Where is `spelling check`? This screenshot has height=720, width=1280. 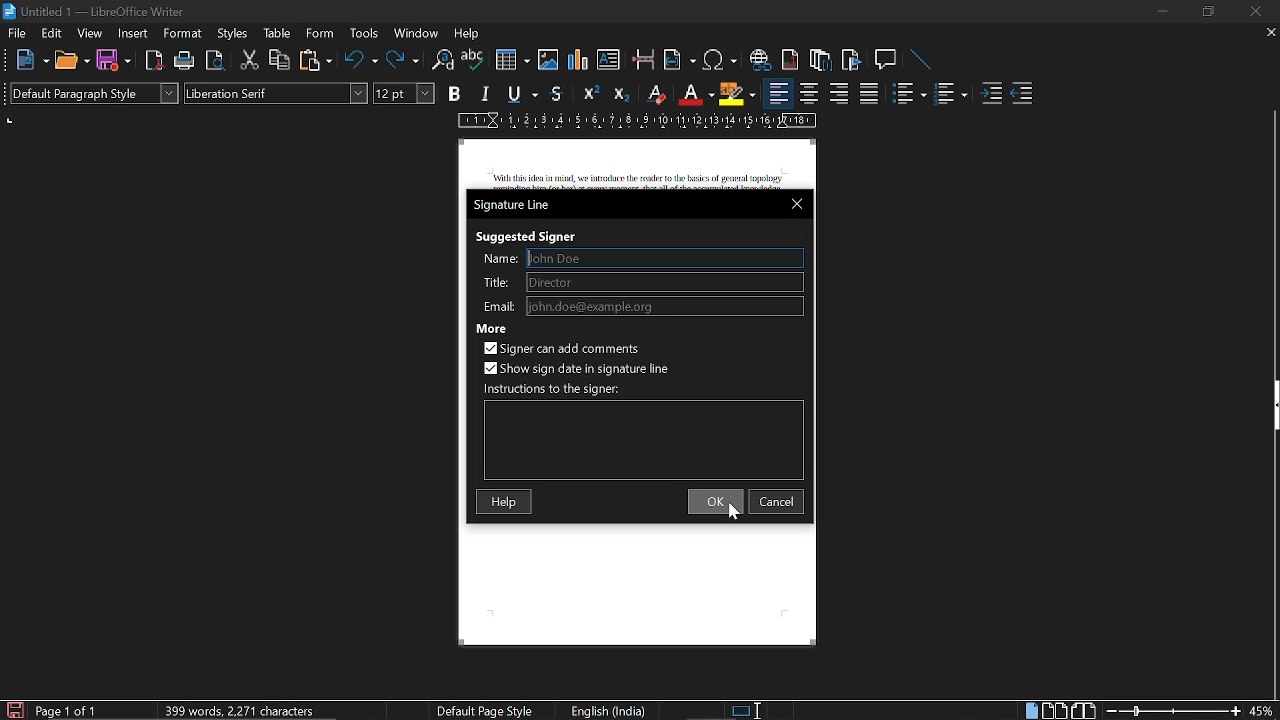 spelling check is located at coordinates (473, 60).